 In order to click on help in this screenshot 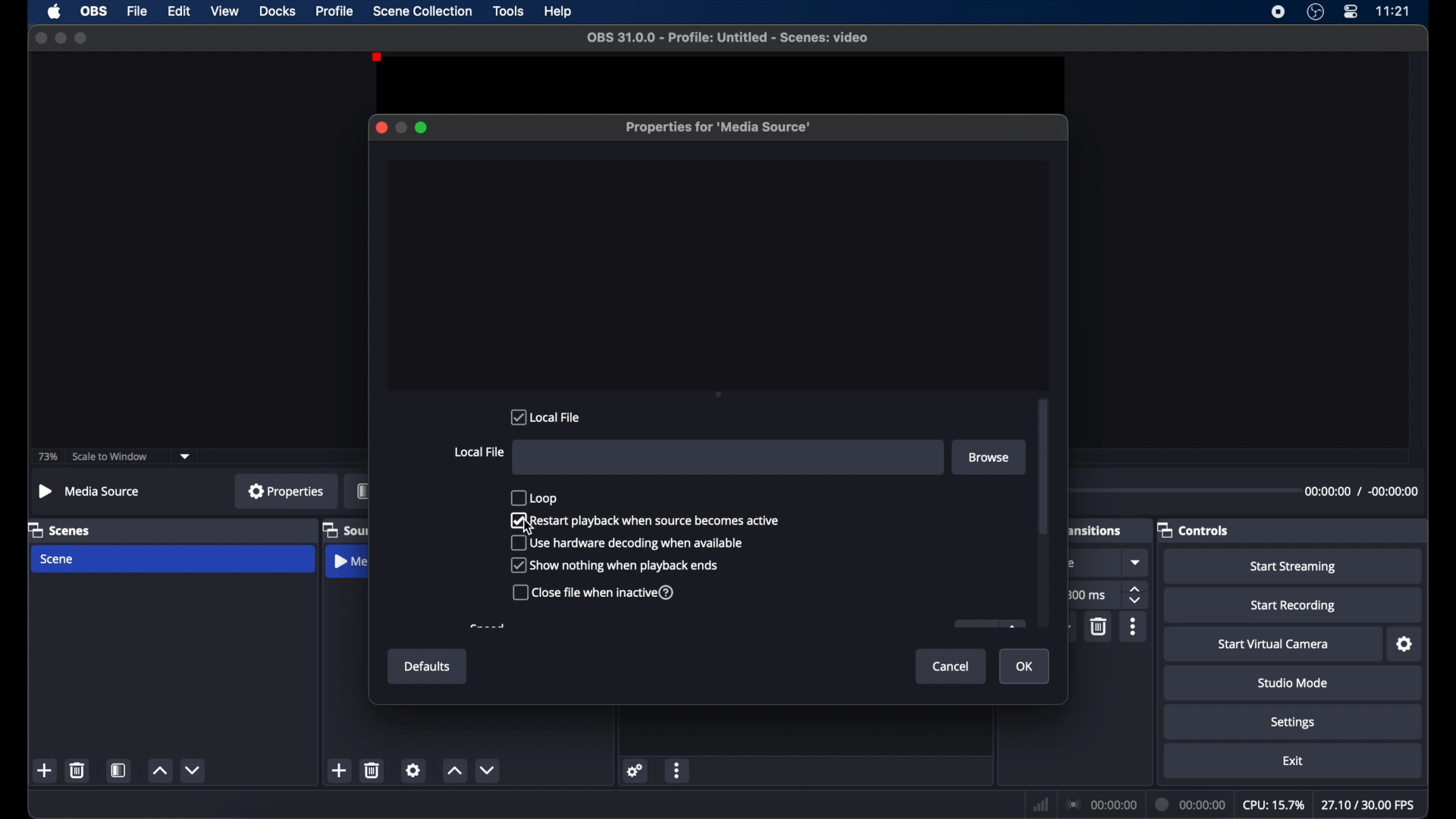, I will do `click(560, 11)`.